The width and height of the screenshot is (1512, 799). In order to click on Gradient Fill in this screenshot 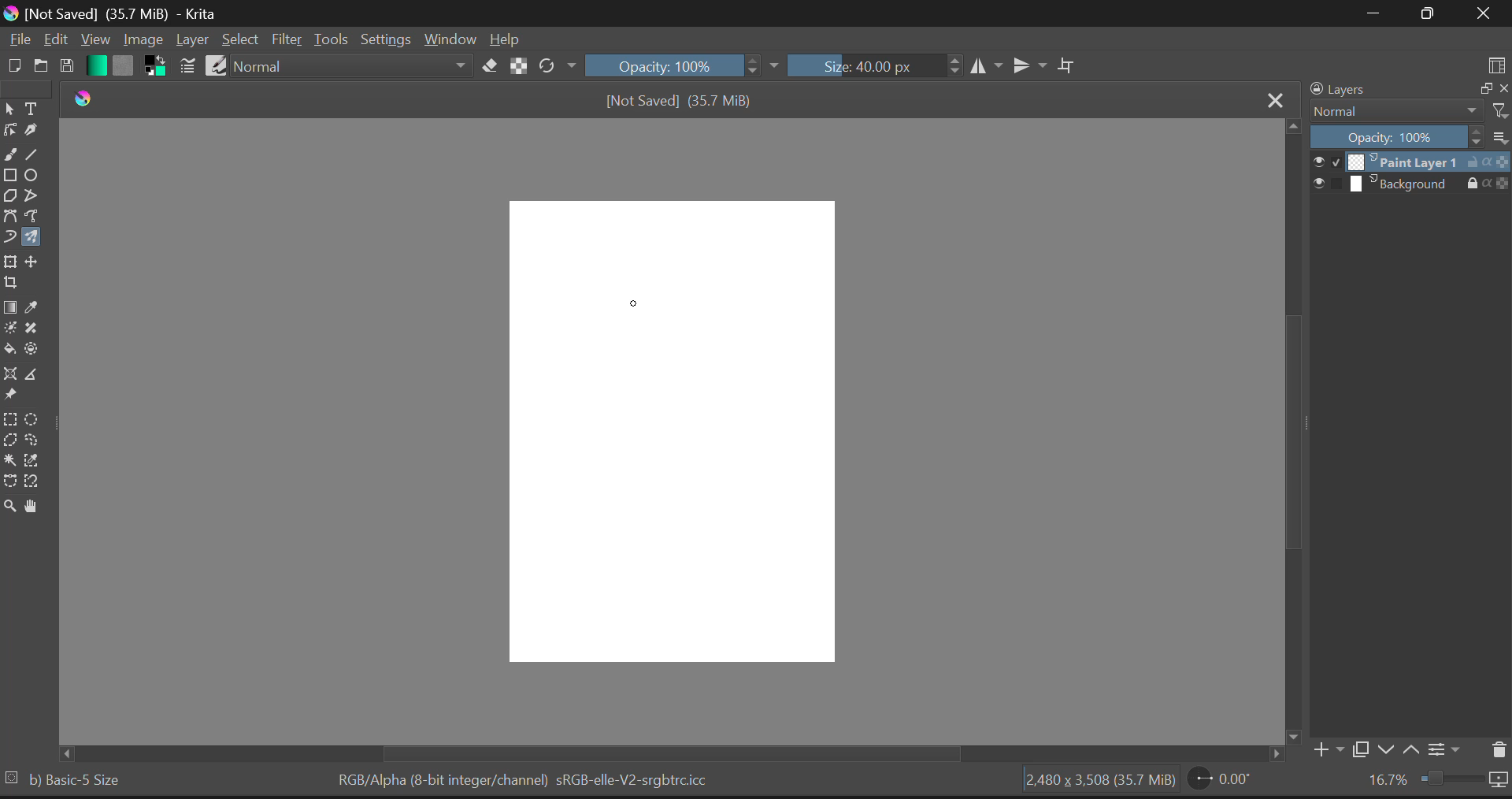, I will do `click(11, 307)`.